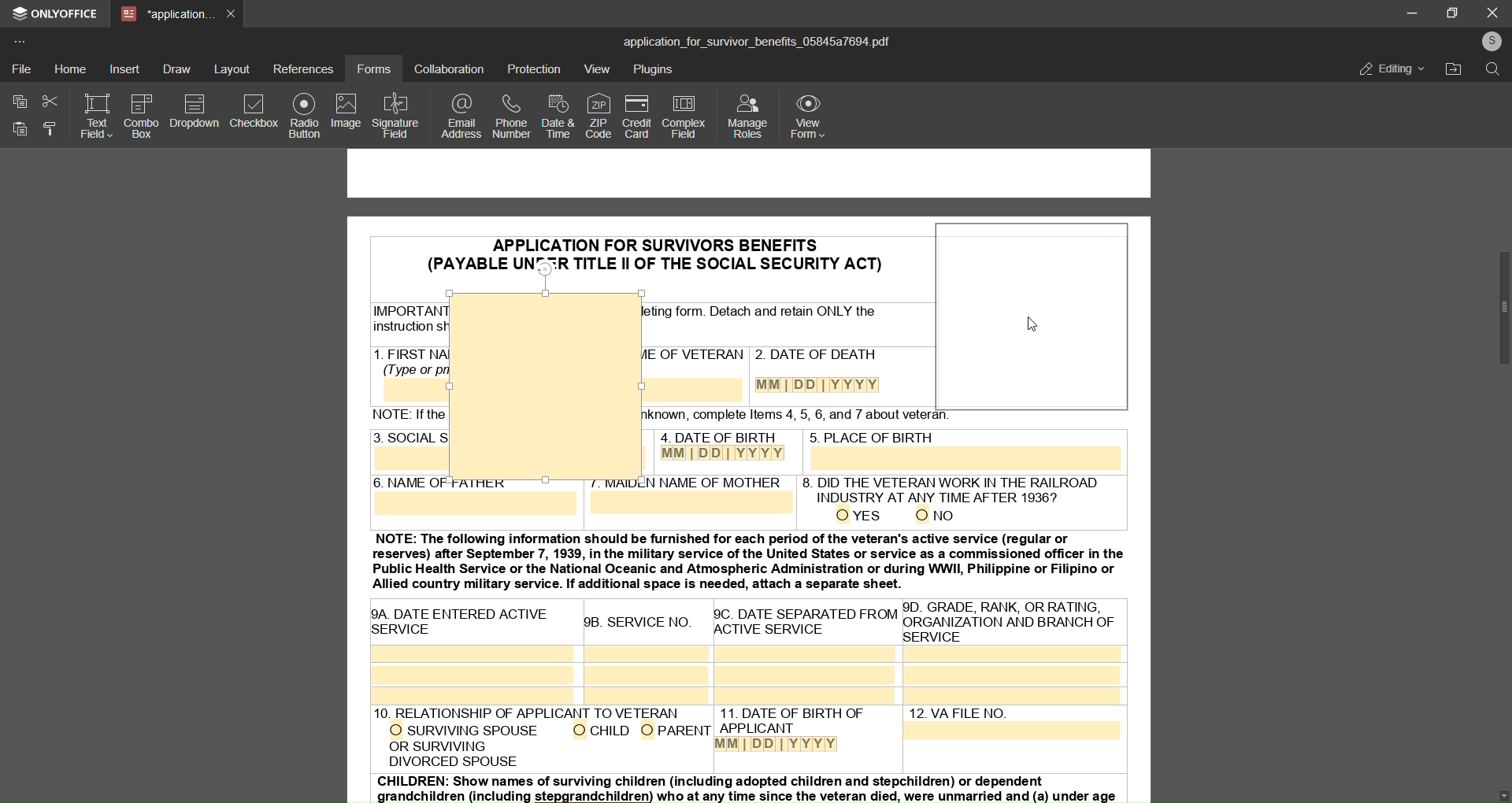  What do you see at coordinates (747, 117) in the screenshot?
I see `manage roles` at bounding box center [747, 117].